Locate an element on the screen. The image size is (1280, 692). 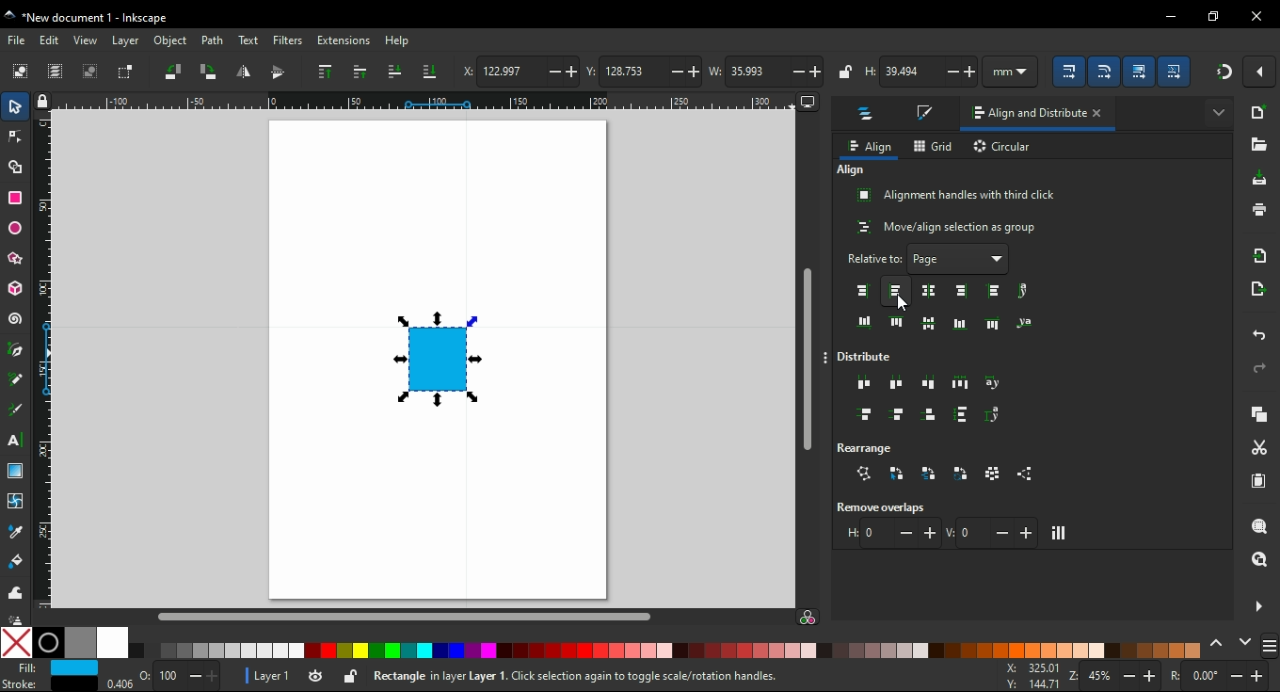
align bottom edges of objects to top edge of  anchor is located at coordinates (861, 319).